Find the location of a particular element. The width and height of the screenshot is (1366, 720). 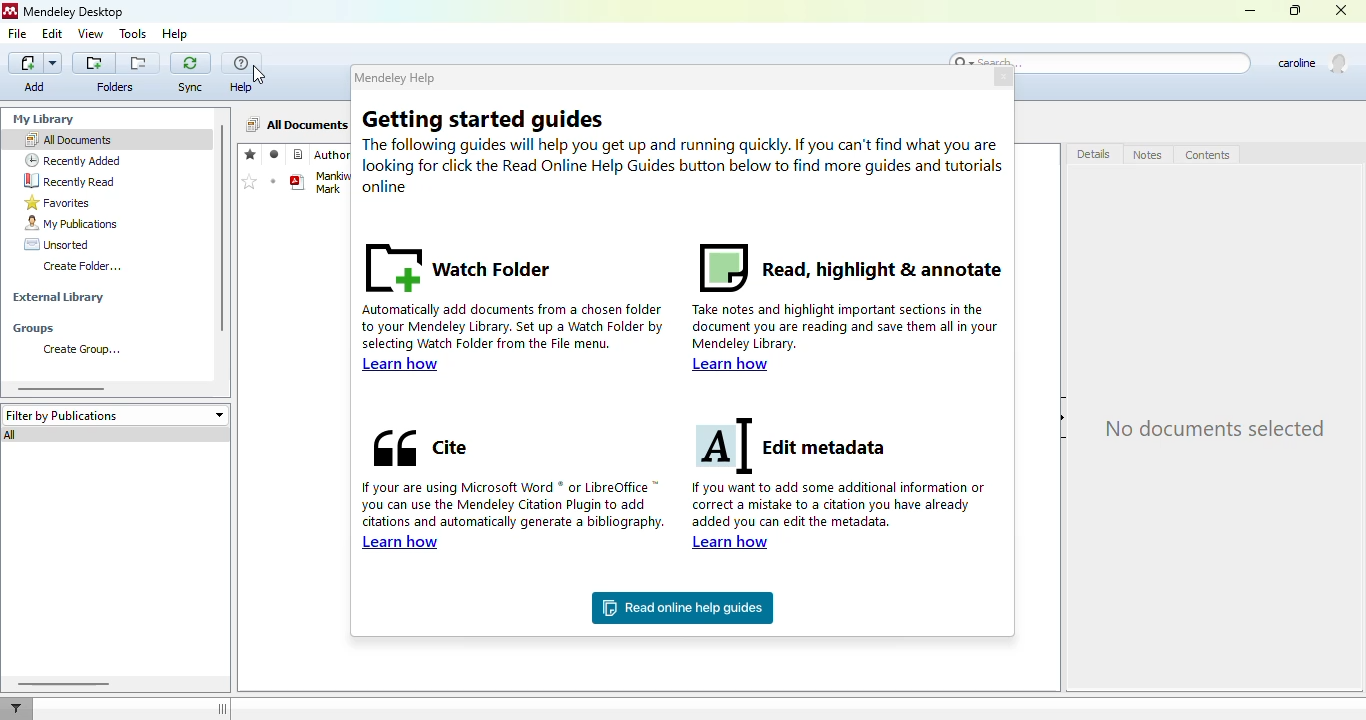

tools is located at coordinates (132, 34).